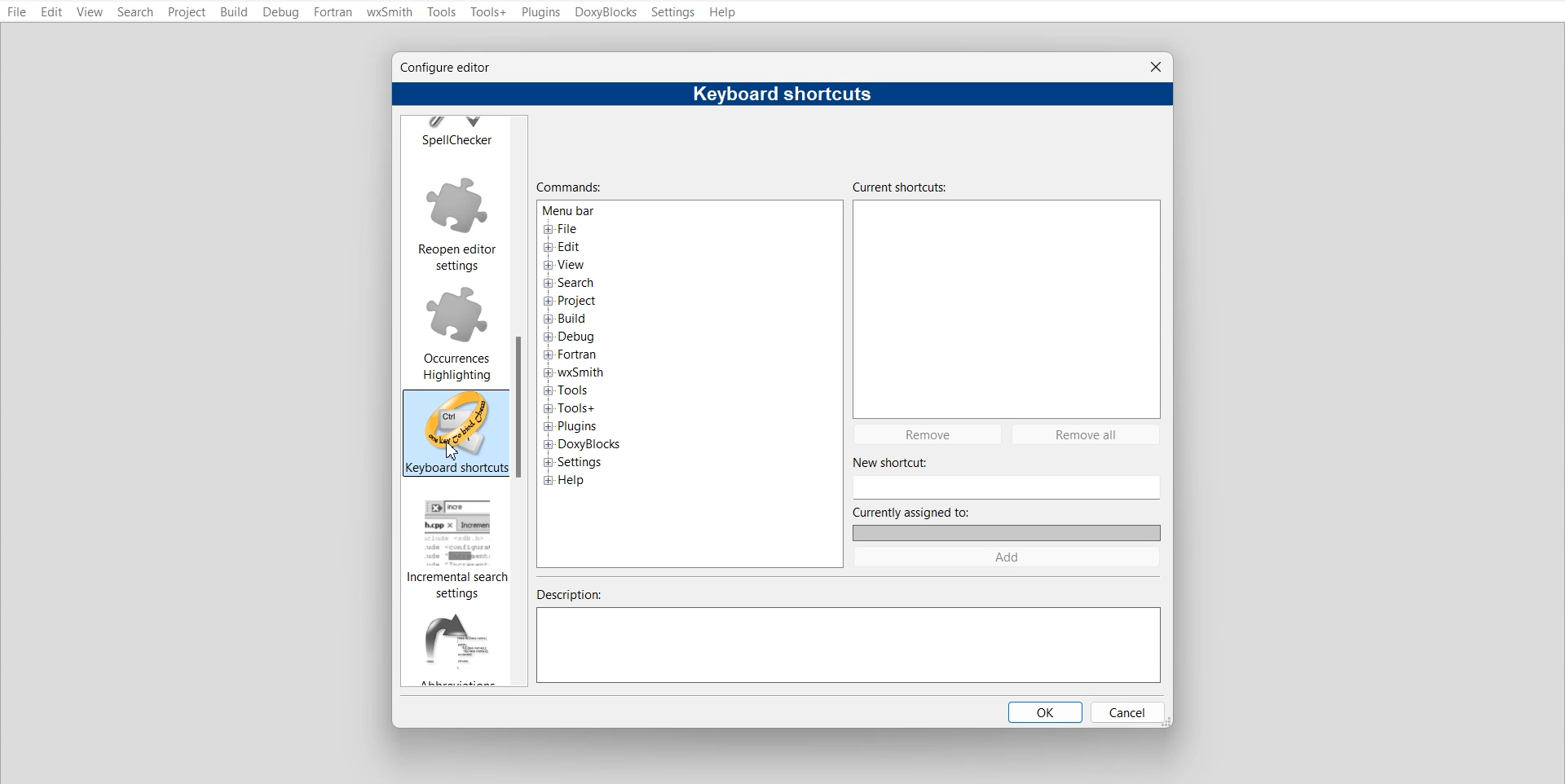 The width and height of the screenshot is (1565, 784). What do you see at coordinates (456, 646) in the screenshot?
I see `Abbreviation` at bounding box center [456, 646].